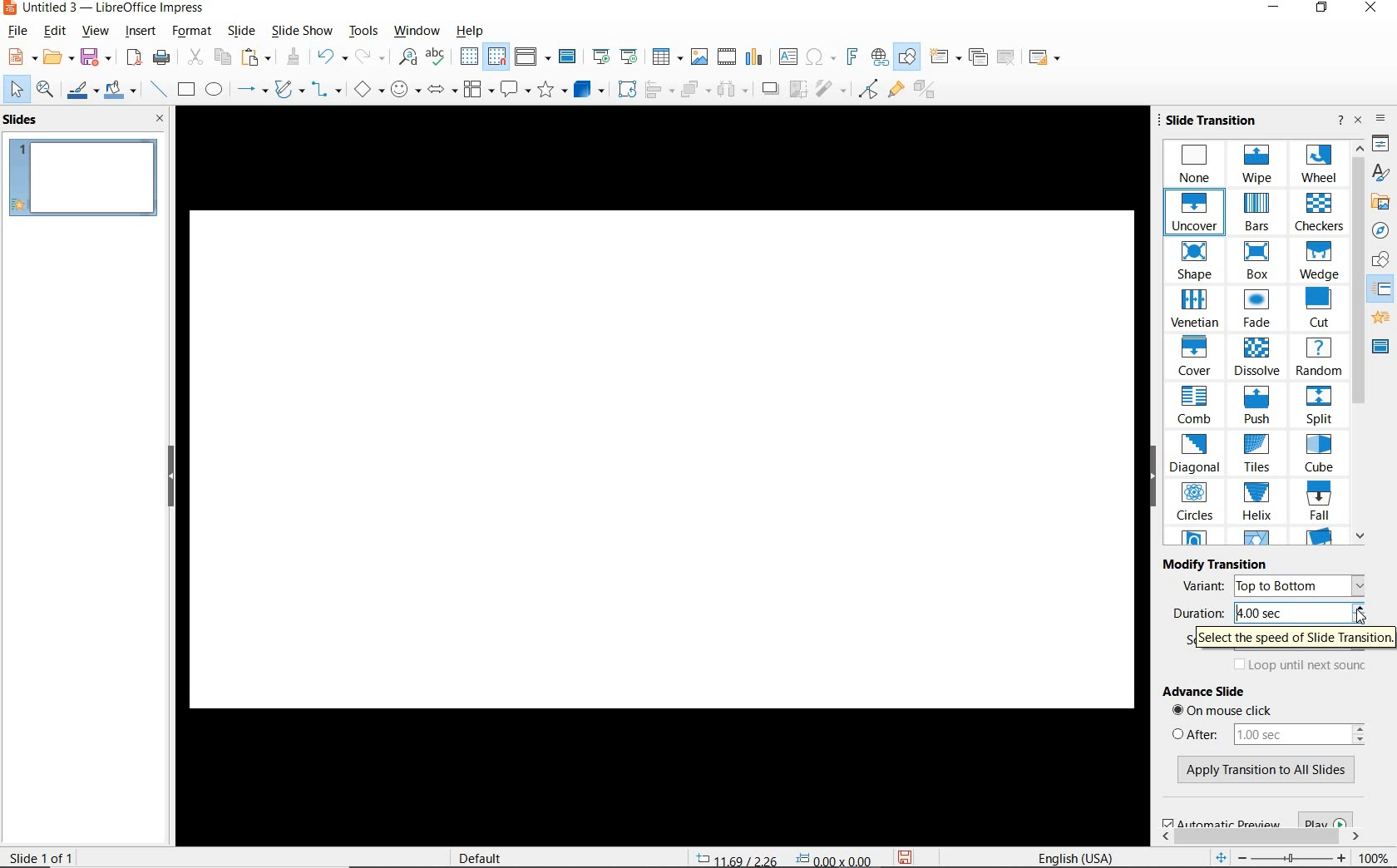 The image size is (1397, 868). Describe the element at coordinates (245, 31) in the screenshot. I see `SLIDE` at that location.